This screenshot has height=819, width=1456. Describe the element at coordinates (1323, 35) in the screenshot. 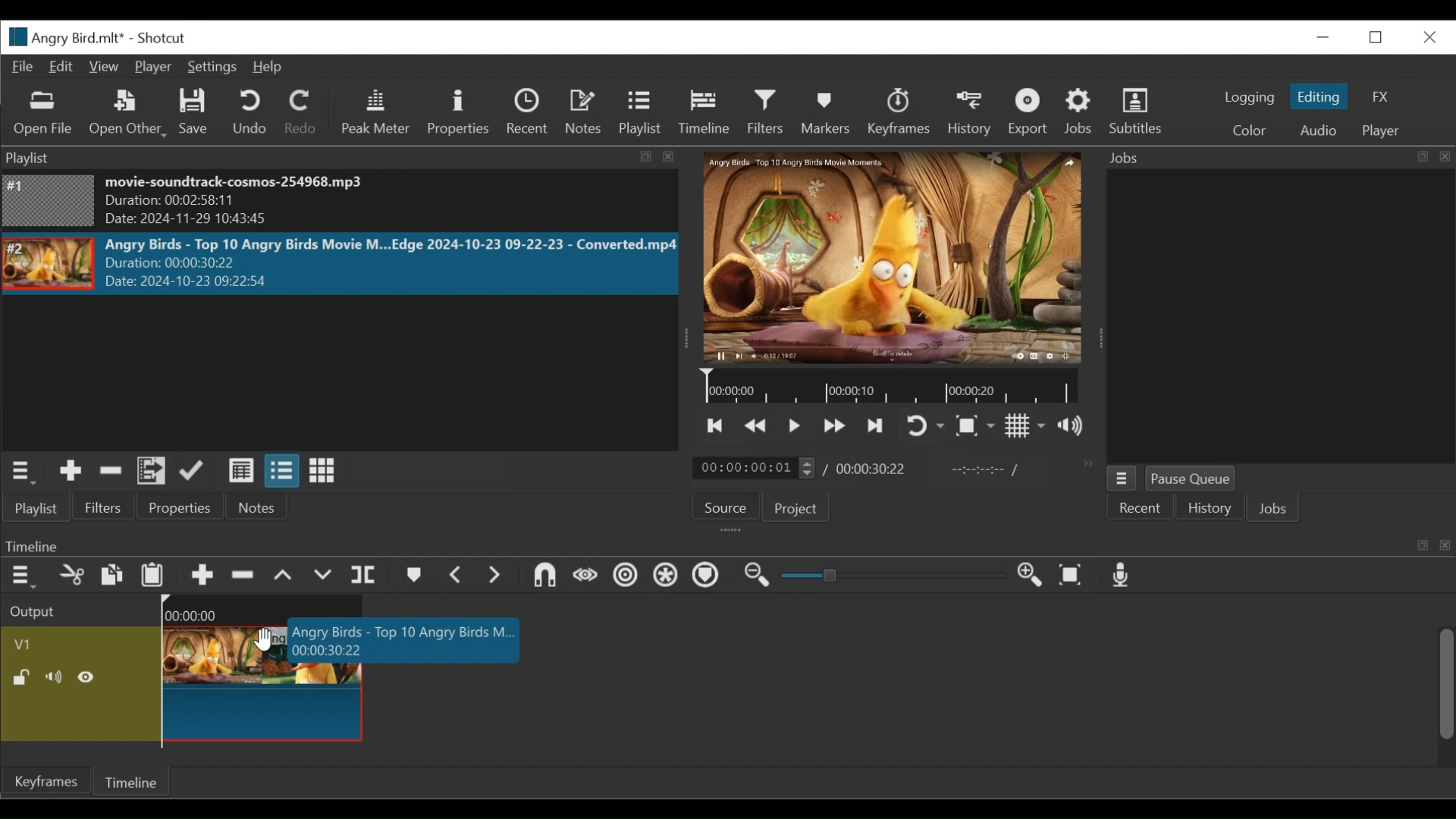

I see `minimize` at that location.